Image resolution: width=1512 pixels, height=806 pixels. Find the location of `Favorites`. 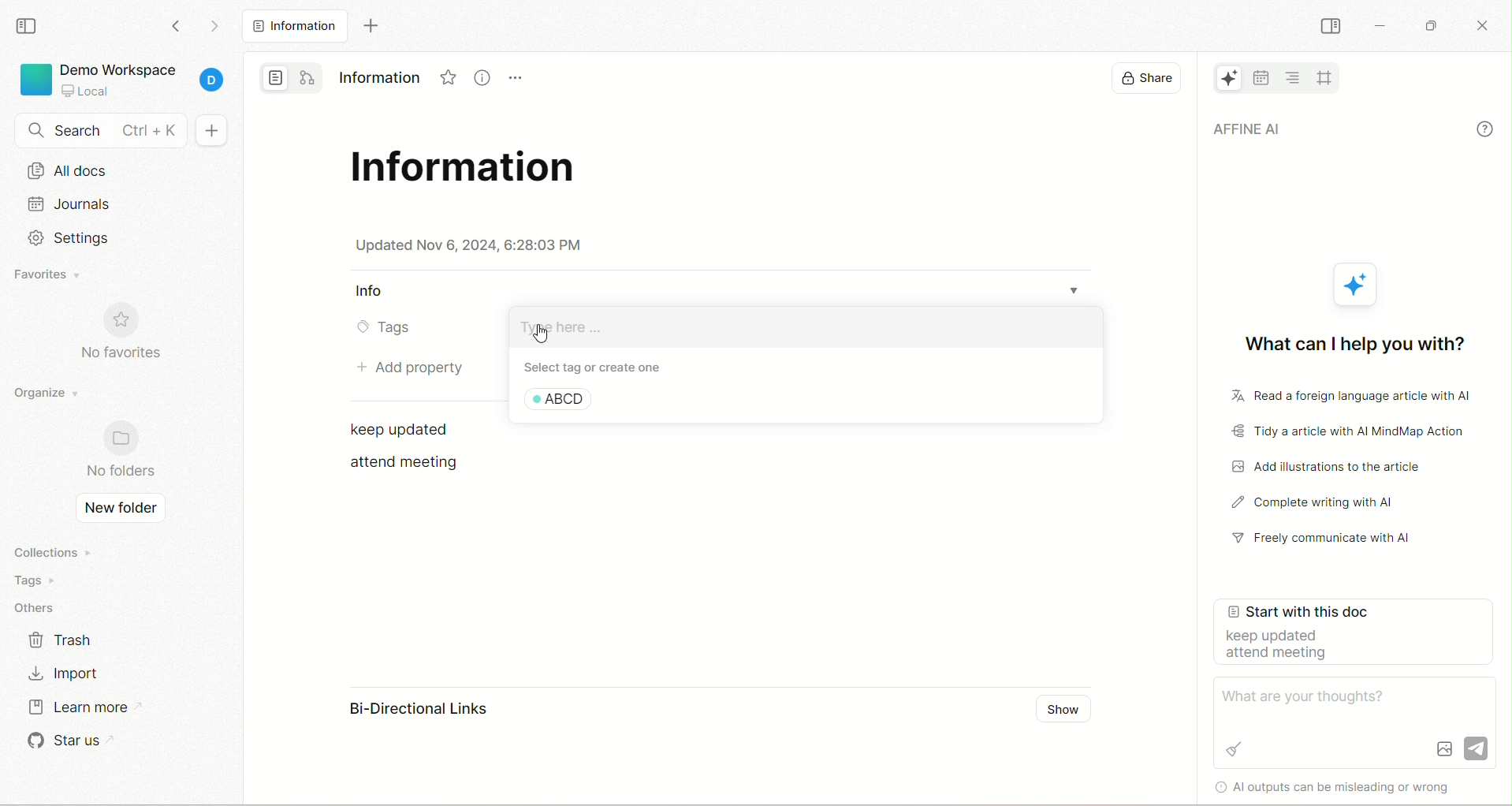

Favorites is located at coordinates (441, 80).